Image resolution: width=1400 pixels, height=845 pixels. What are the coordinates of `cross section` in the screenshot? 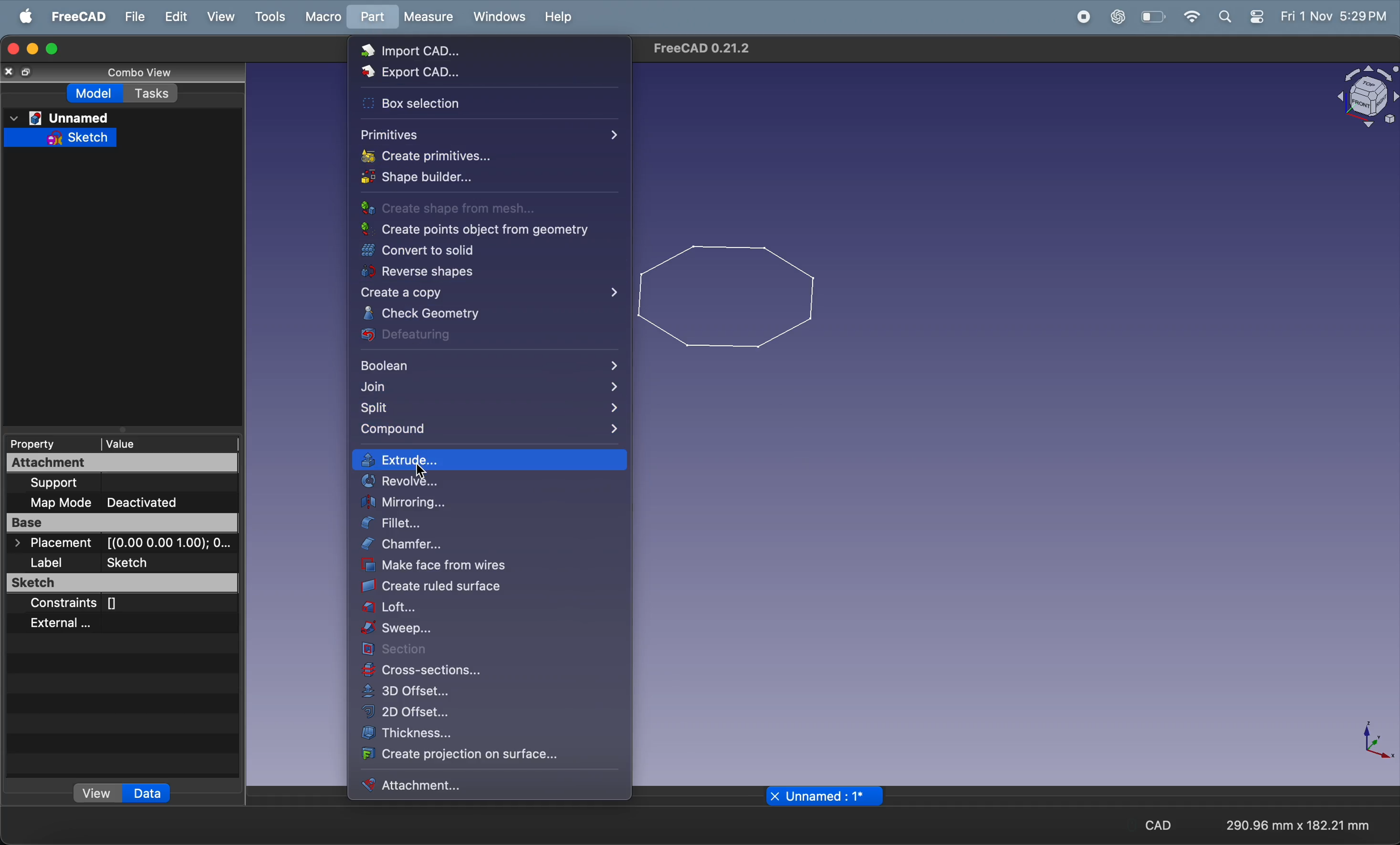 It's located at (490, 672).